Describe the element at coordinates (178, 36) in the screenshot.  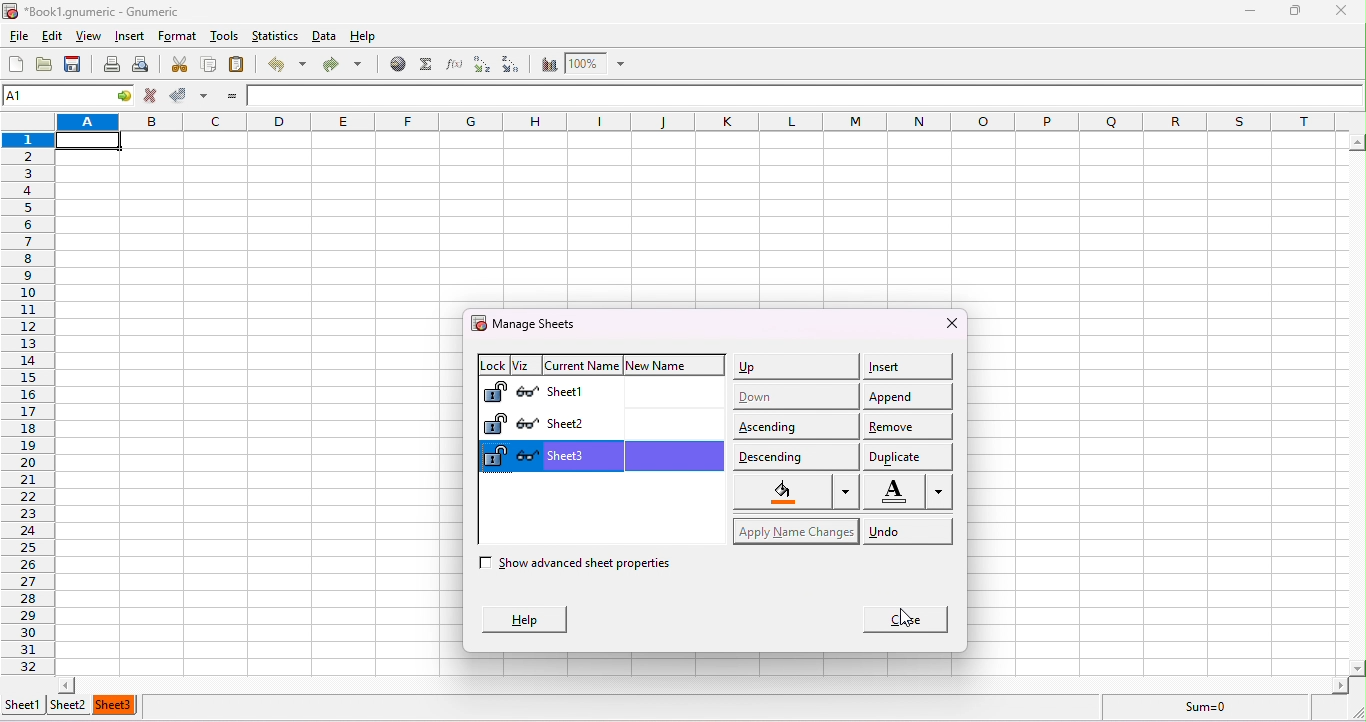
I see `format` at that location.